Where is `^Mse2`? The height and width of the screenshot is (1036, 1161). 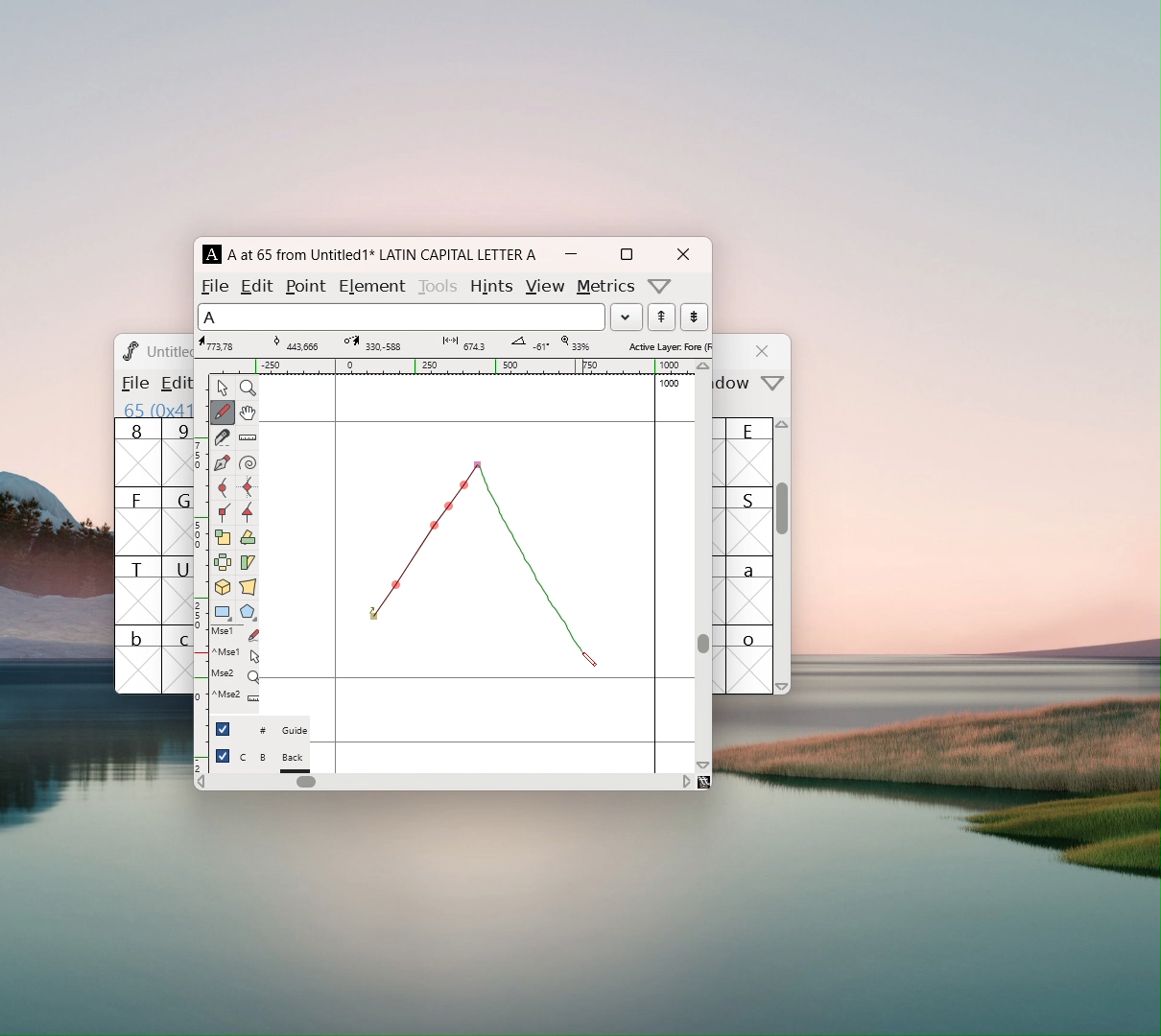
^Mse2 is located at coordinates (236, 653).